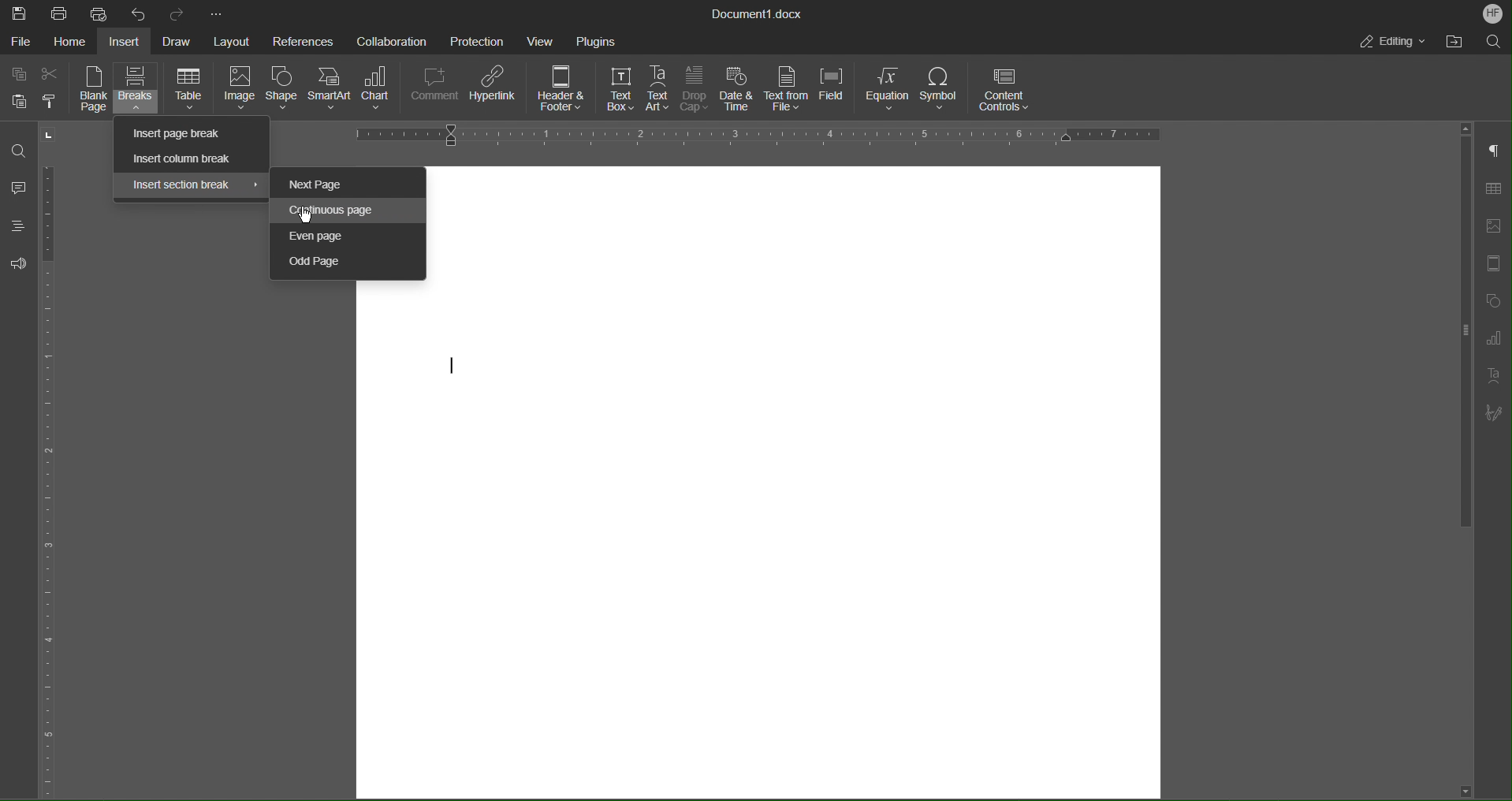 The height and width of the screenshot is (801, 1512). Describe the element at coordinates (232, 39) in the screenshot. I see `Layout` at that location.